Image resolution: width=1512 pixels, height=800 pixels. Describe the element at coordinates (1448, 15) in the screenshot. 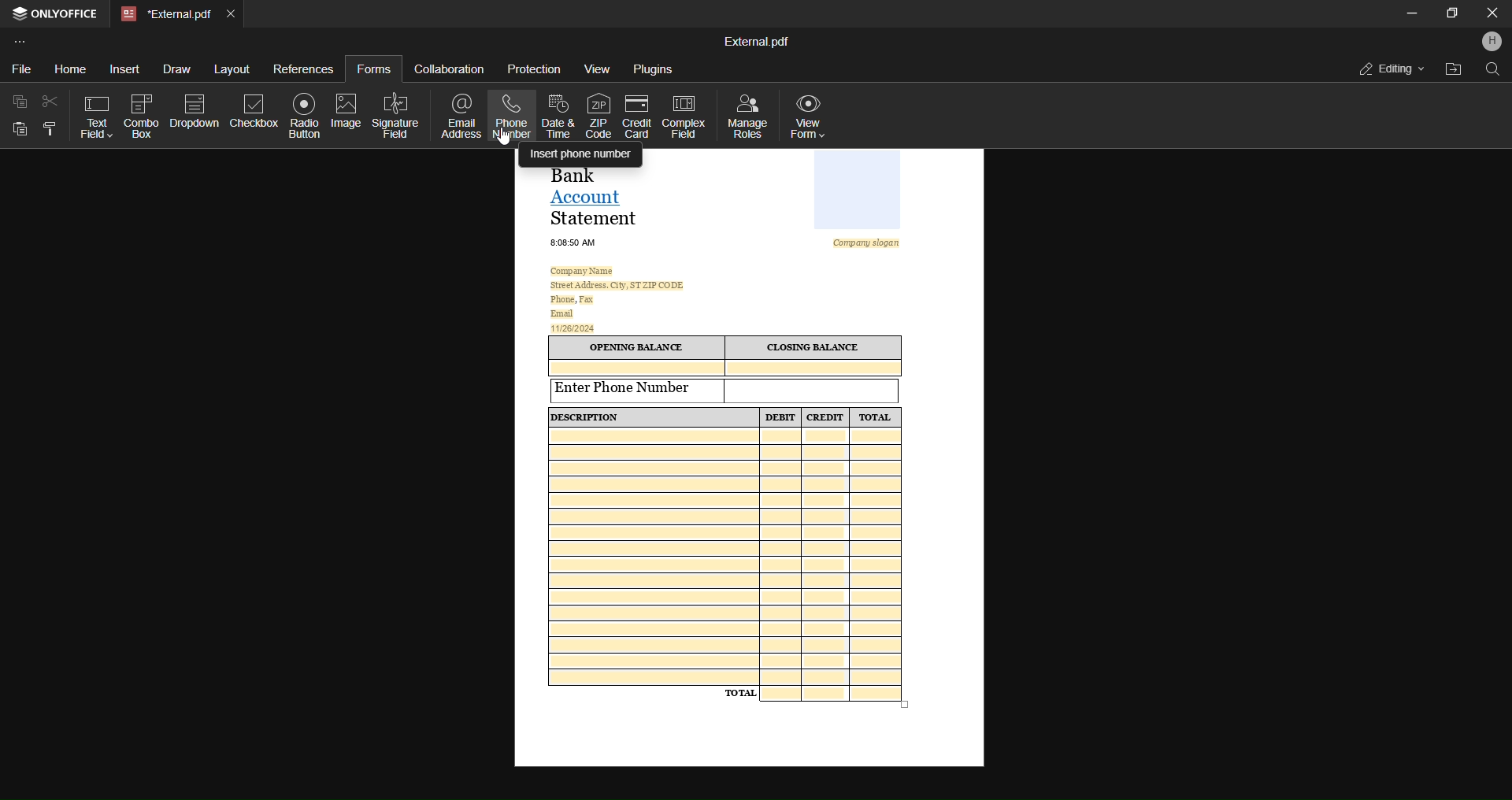

I see `maximize` at that location.